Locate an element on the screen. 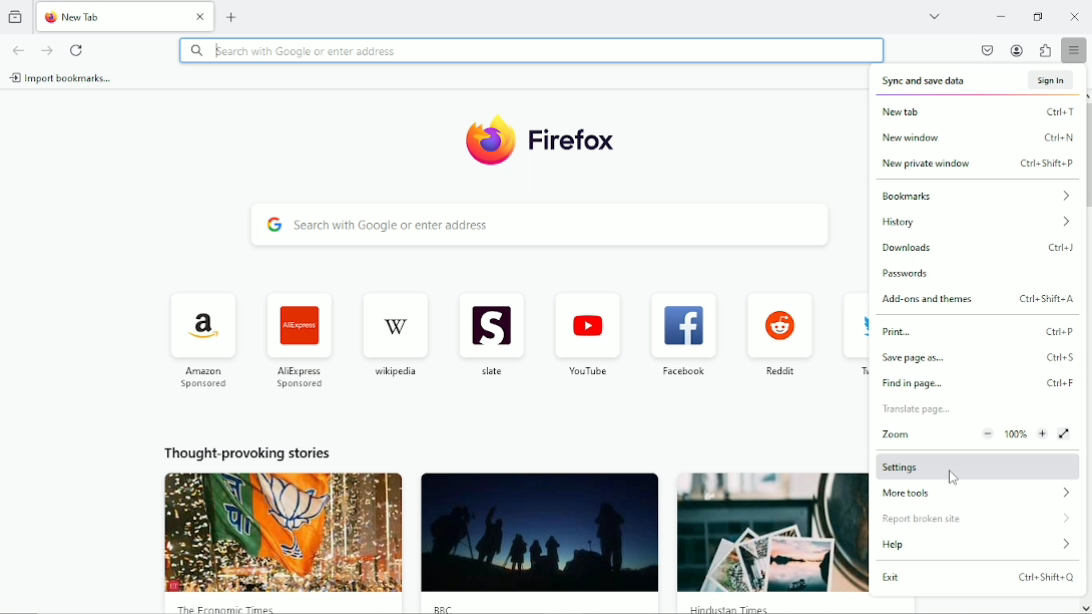 This screenshot has height=614, width=1092. Sign in is located at coordinates (1046, 81).